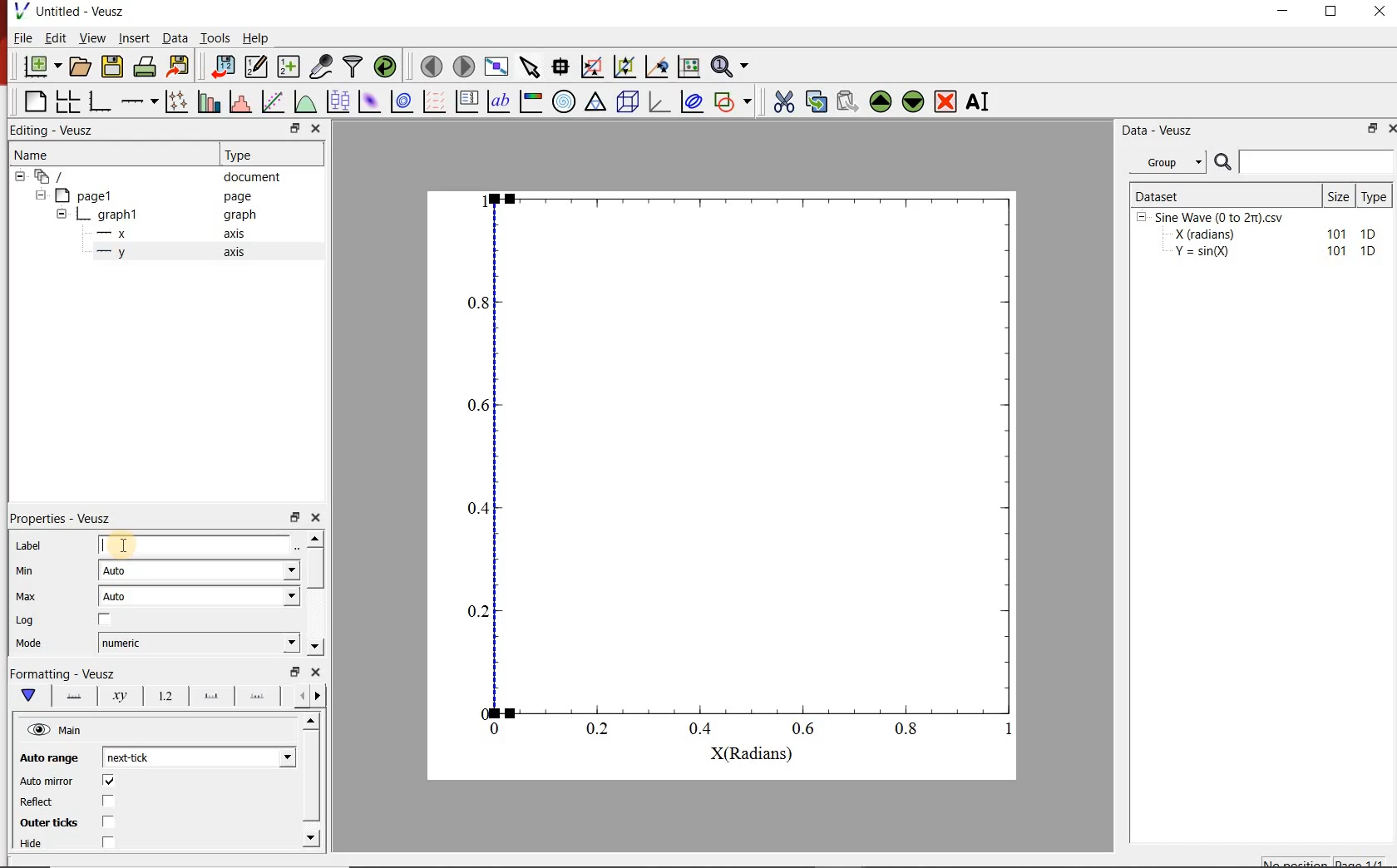 Image resolution: width=1397 pixels, height=868 pixels. Describe the element at coordinates (847, 101) in the screenshot. I see `paste` at that location.